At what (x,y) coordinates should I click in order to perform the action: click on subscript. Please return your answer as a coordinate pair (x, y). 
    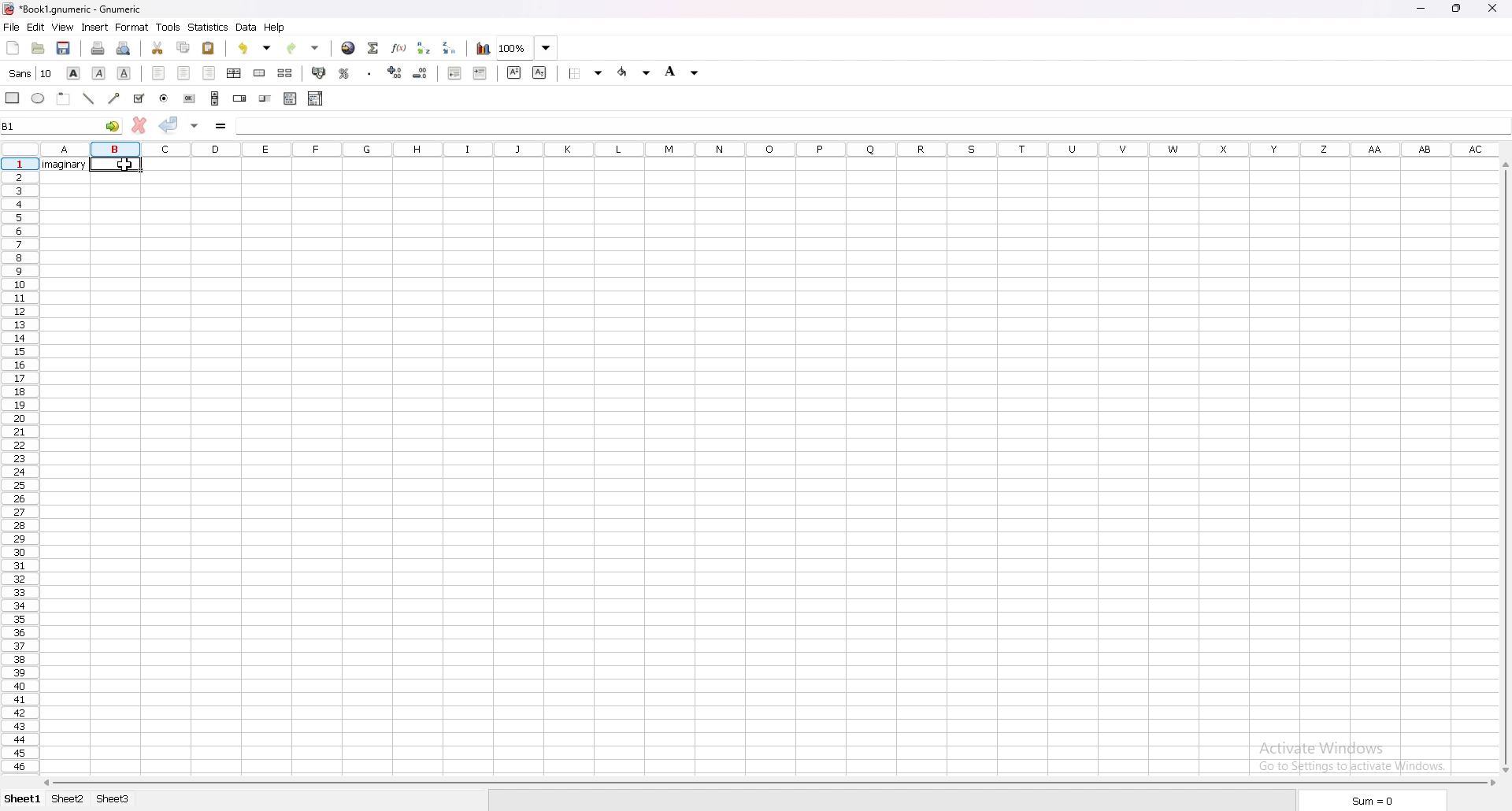
    Looking at the image, I should click on (542, 72).